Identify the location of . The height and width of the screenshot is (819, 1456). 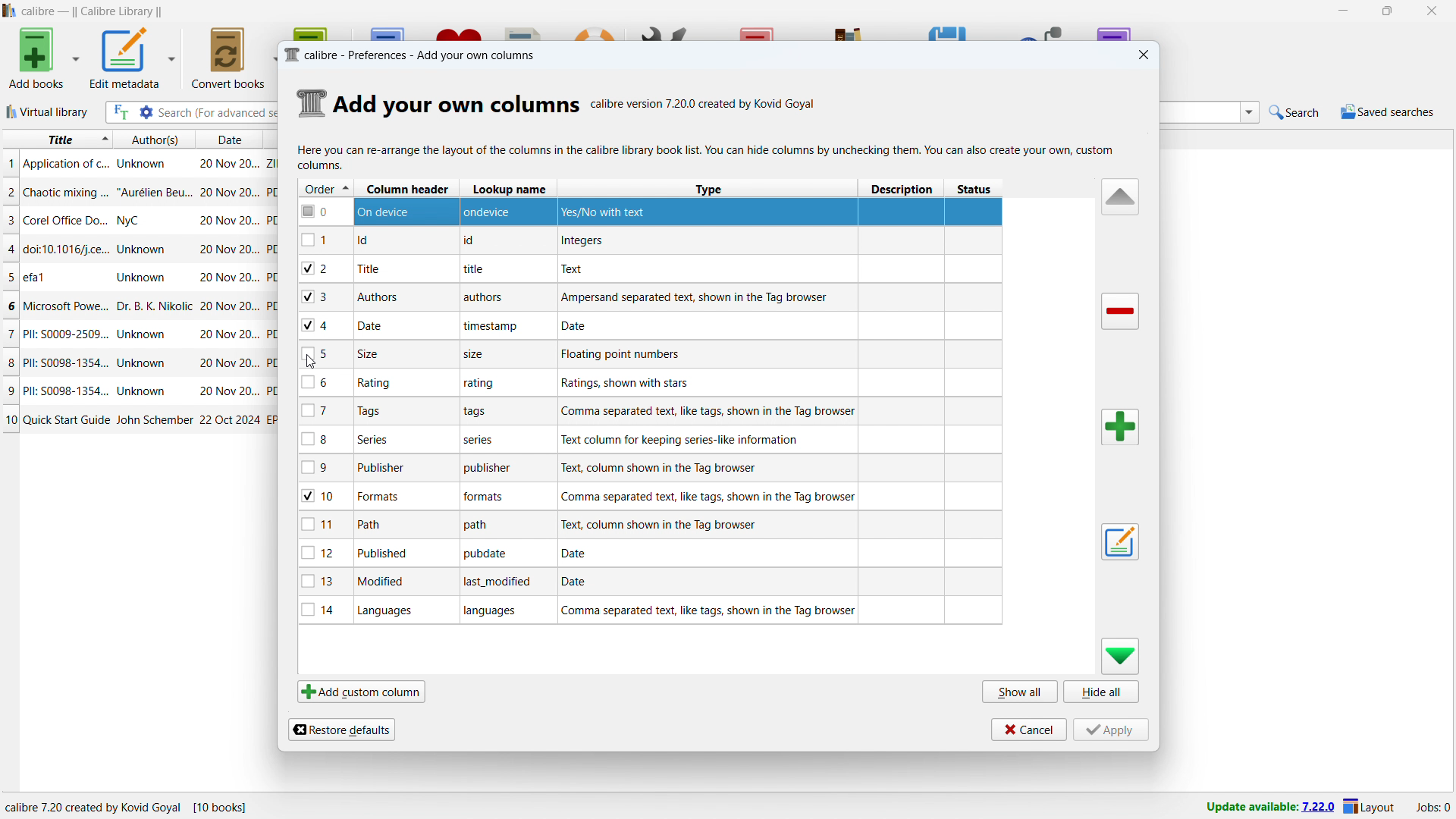
(125, 58).